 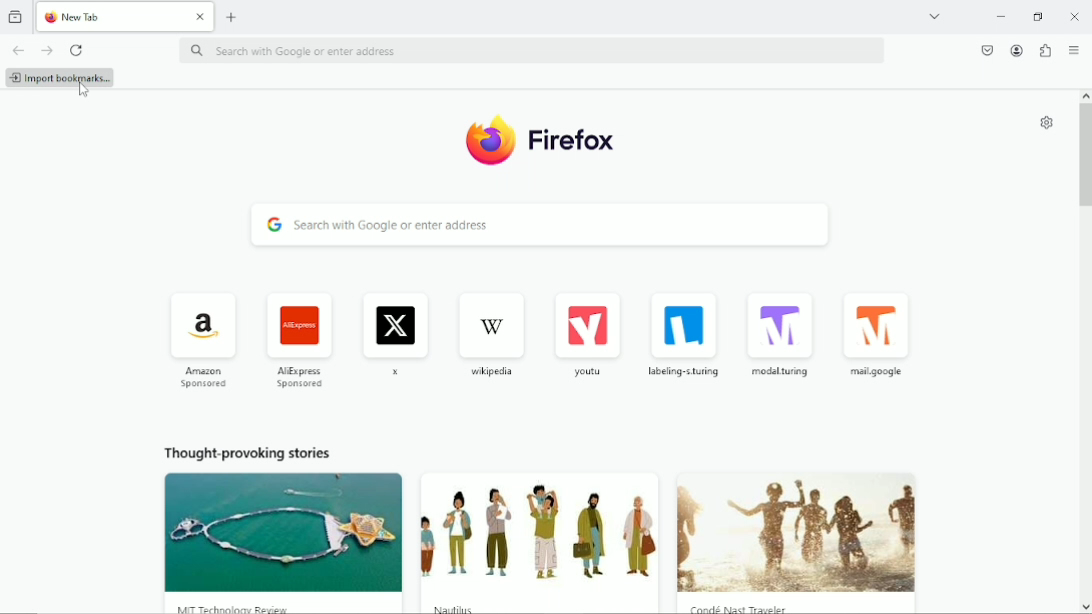 I want to click on current tab, so click(x=109, y=16).